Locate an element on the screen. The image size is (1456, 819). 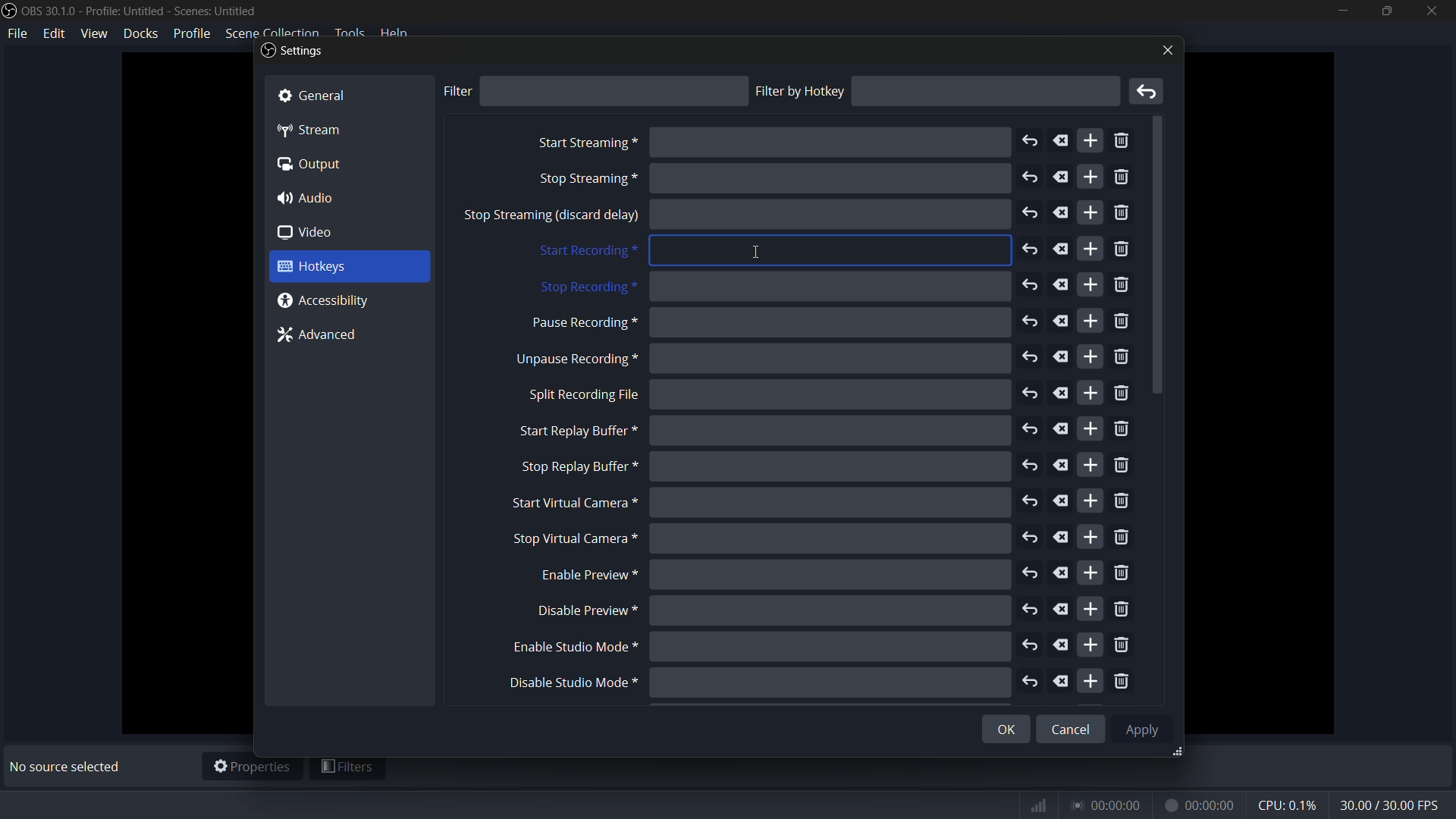
add more is located at coordinates (1093, 500).